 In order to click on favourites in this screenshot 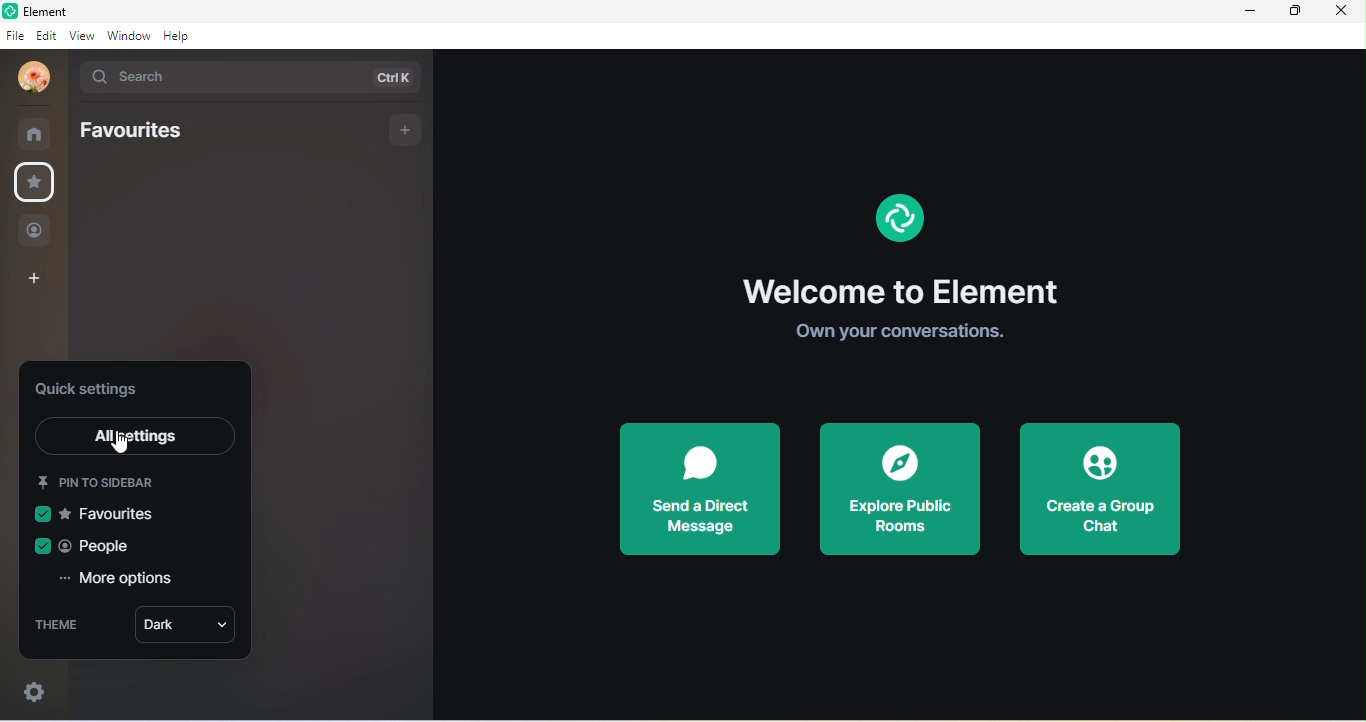, I will do `click(100, 514)`.